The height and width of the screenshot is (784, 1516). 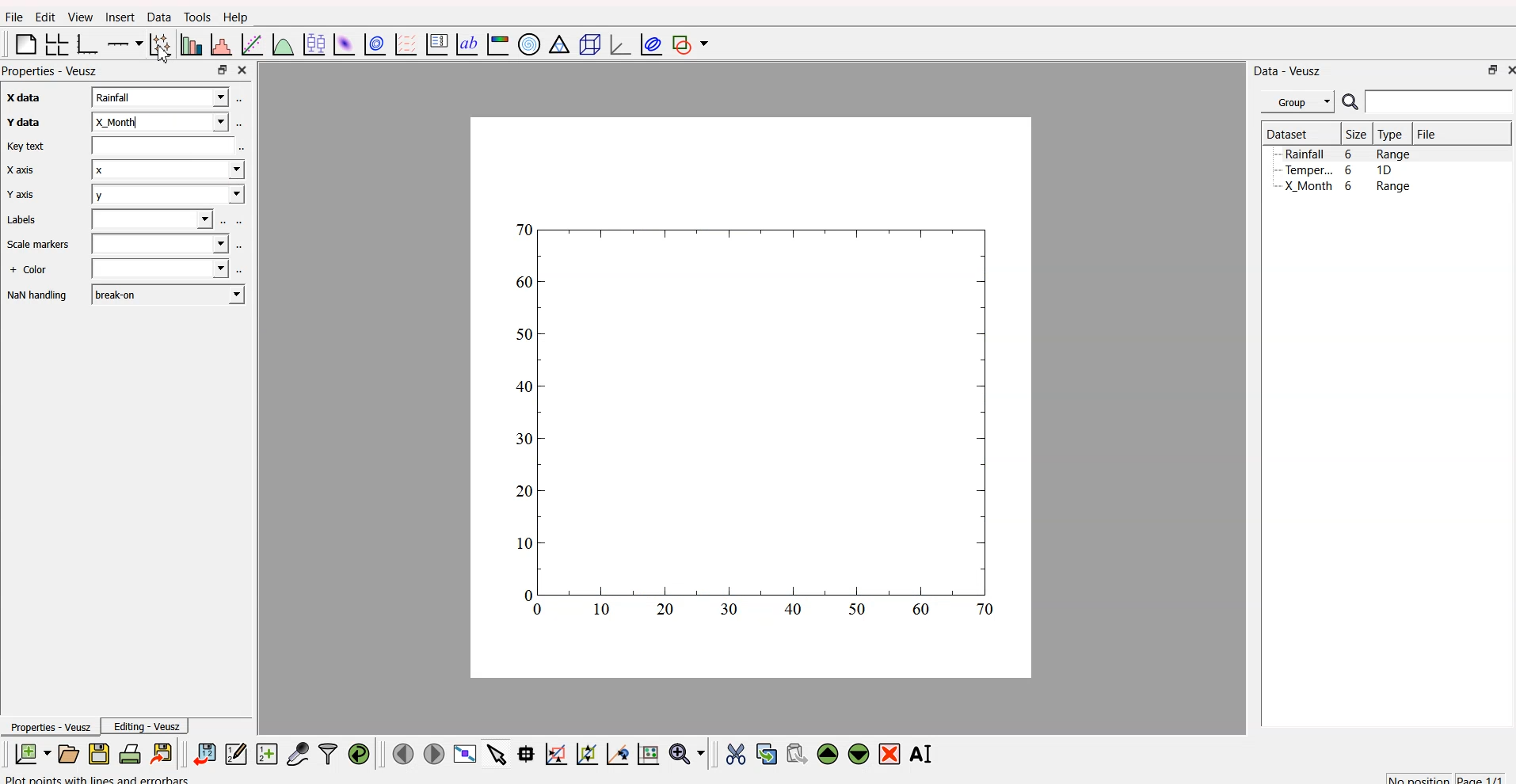 What do you see at coordinates (616, 754) in the screenshot?
I see `zoom out graph axes` at bounding box center [616, 754].